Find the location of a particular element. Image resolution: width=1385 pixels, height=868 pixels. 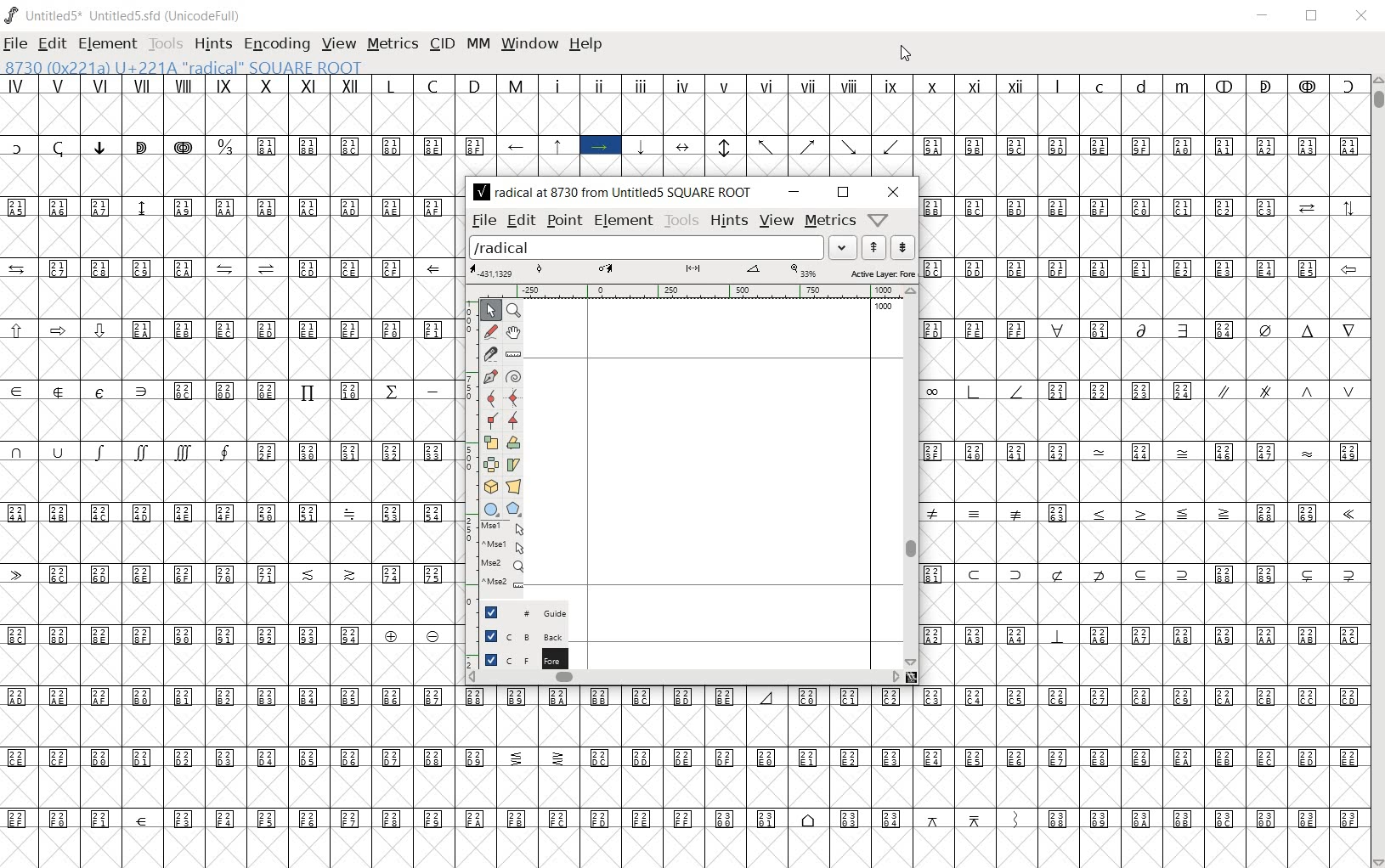

CLOSE is located at coordinates (1362, 15).